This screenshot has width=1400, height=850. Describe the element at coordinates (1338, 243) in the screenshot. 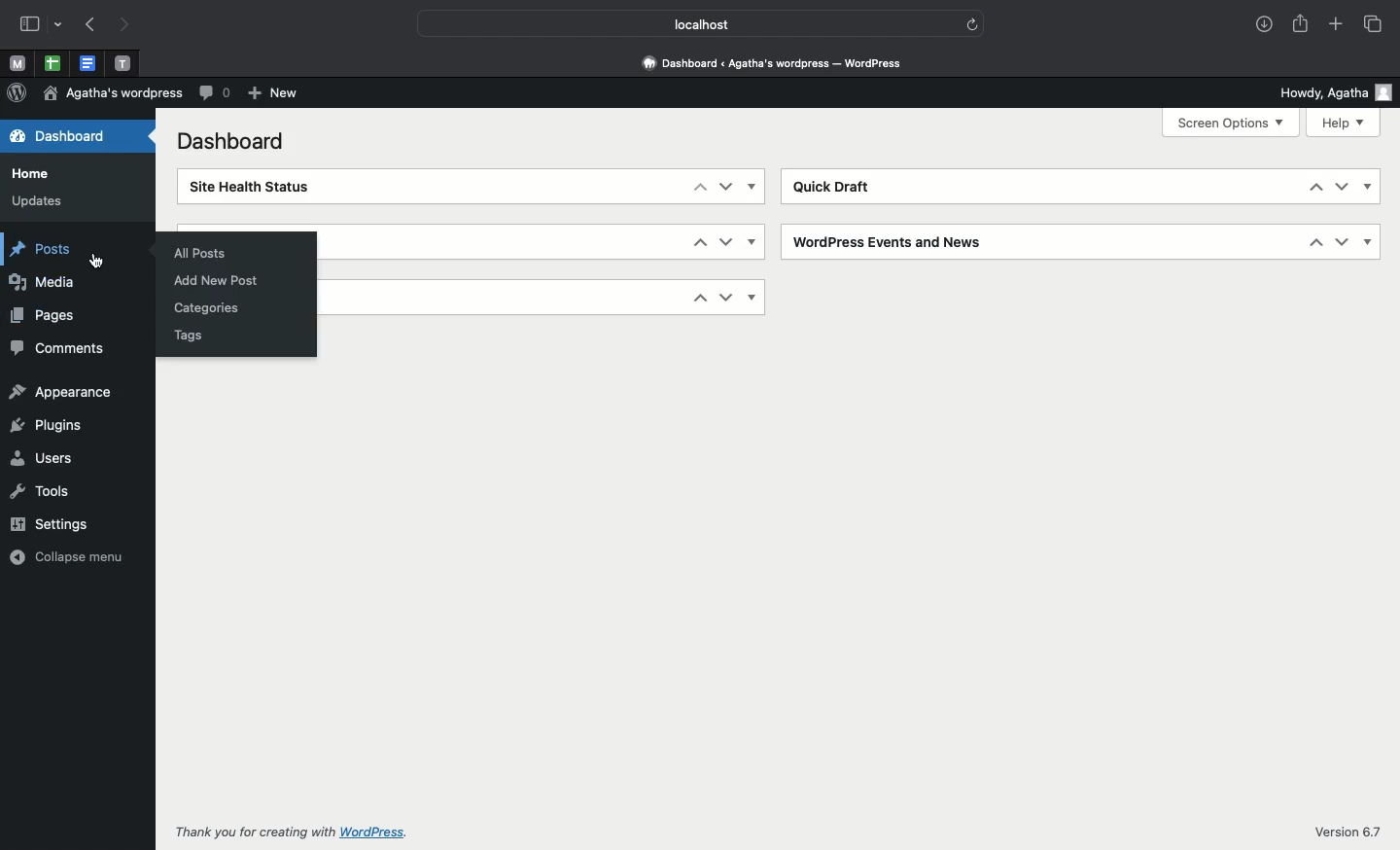

I see `Down` at that location.